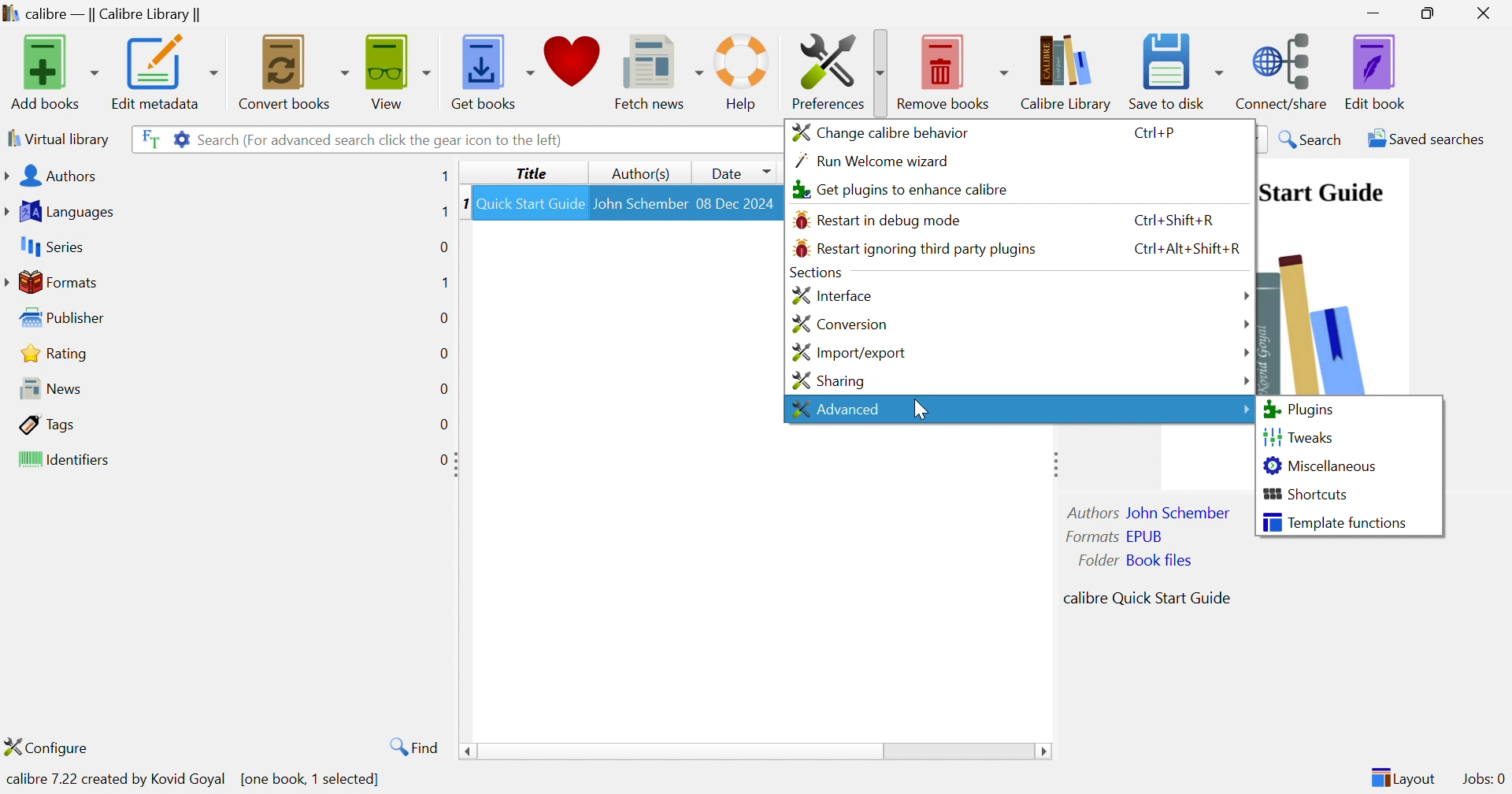 This screenshot has width=1512, height=794. What do you see at coordinates (1168, 220) in the screenshot?
I see `Ctrl+Shift+R` at bounding box center [1168, 220].